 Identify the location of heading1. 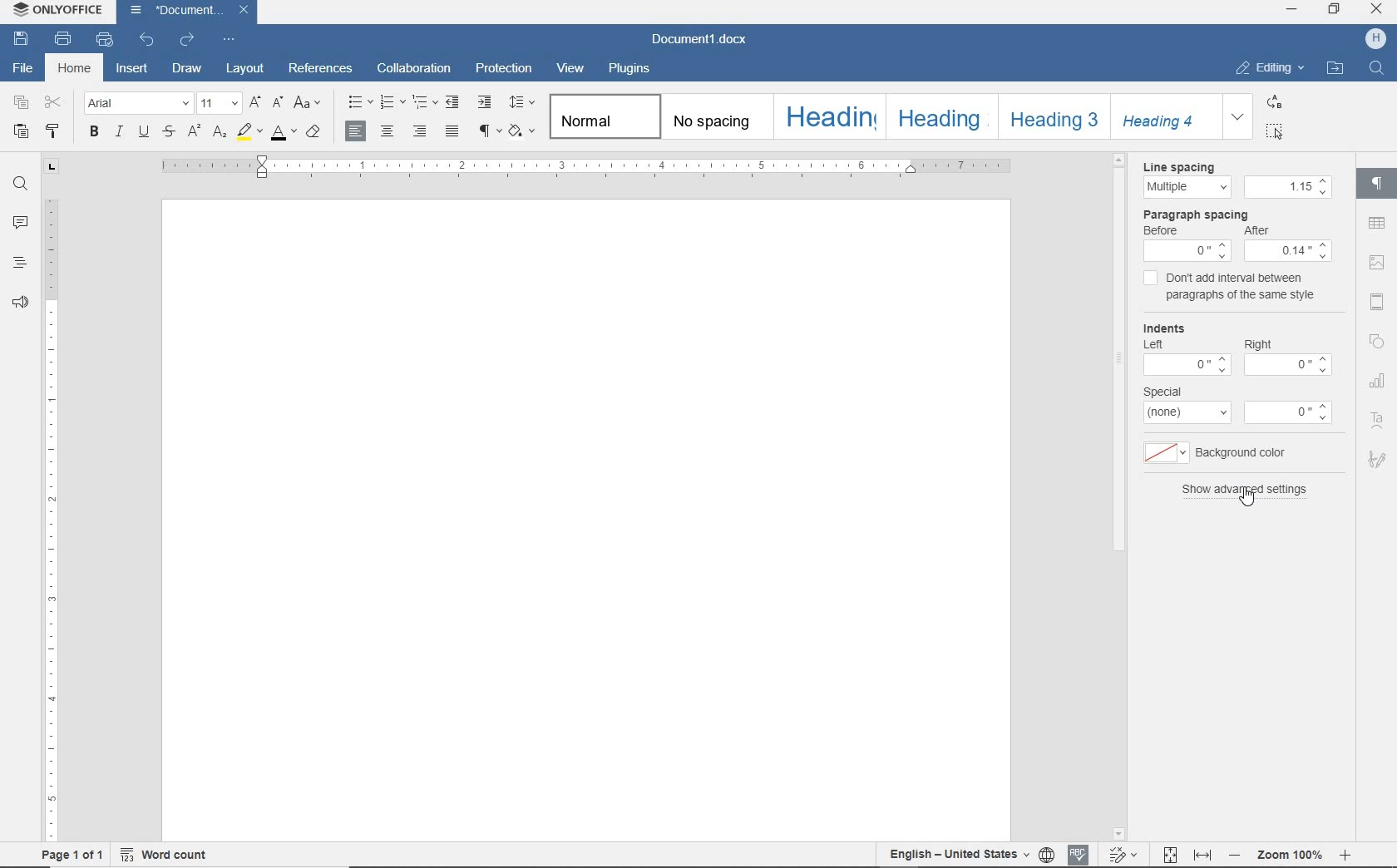
(832, 116).